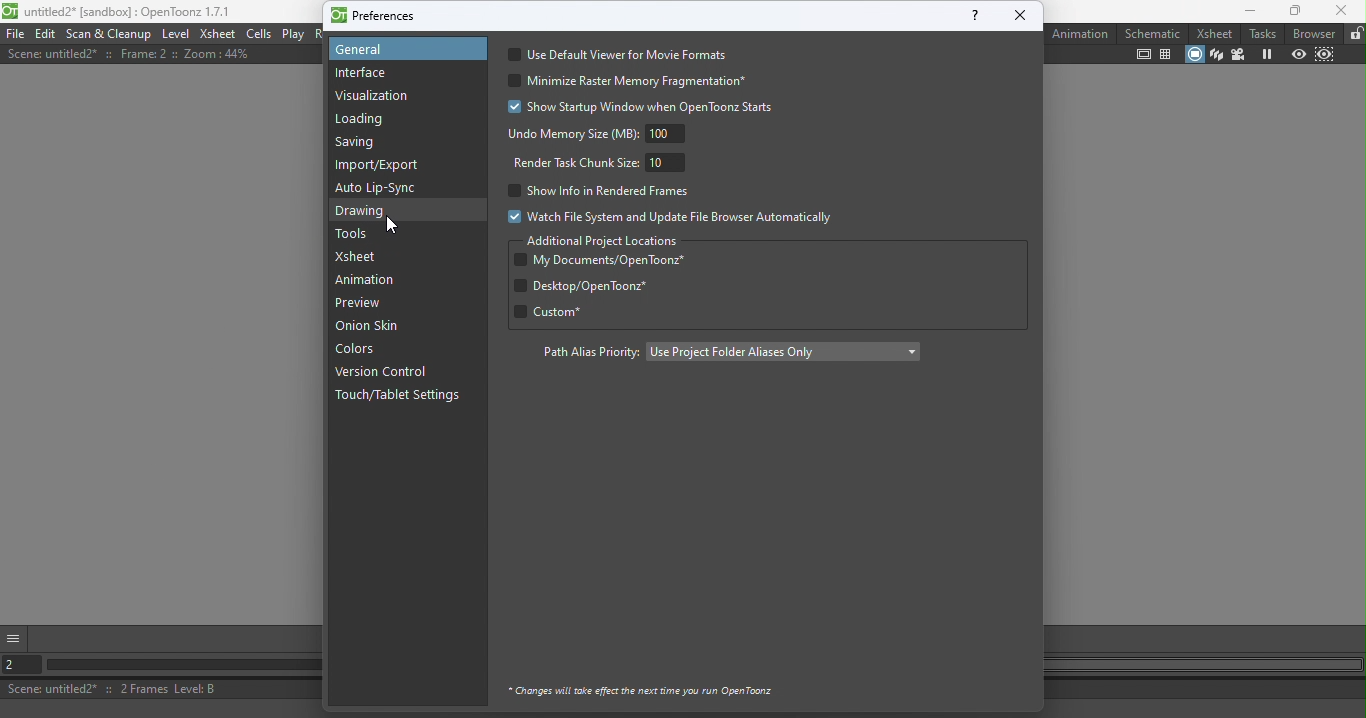  I want to click on Browser, so click(1311, 33).